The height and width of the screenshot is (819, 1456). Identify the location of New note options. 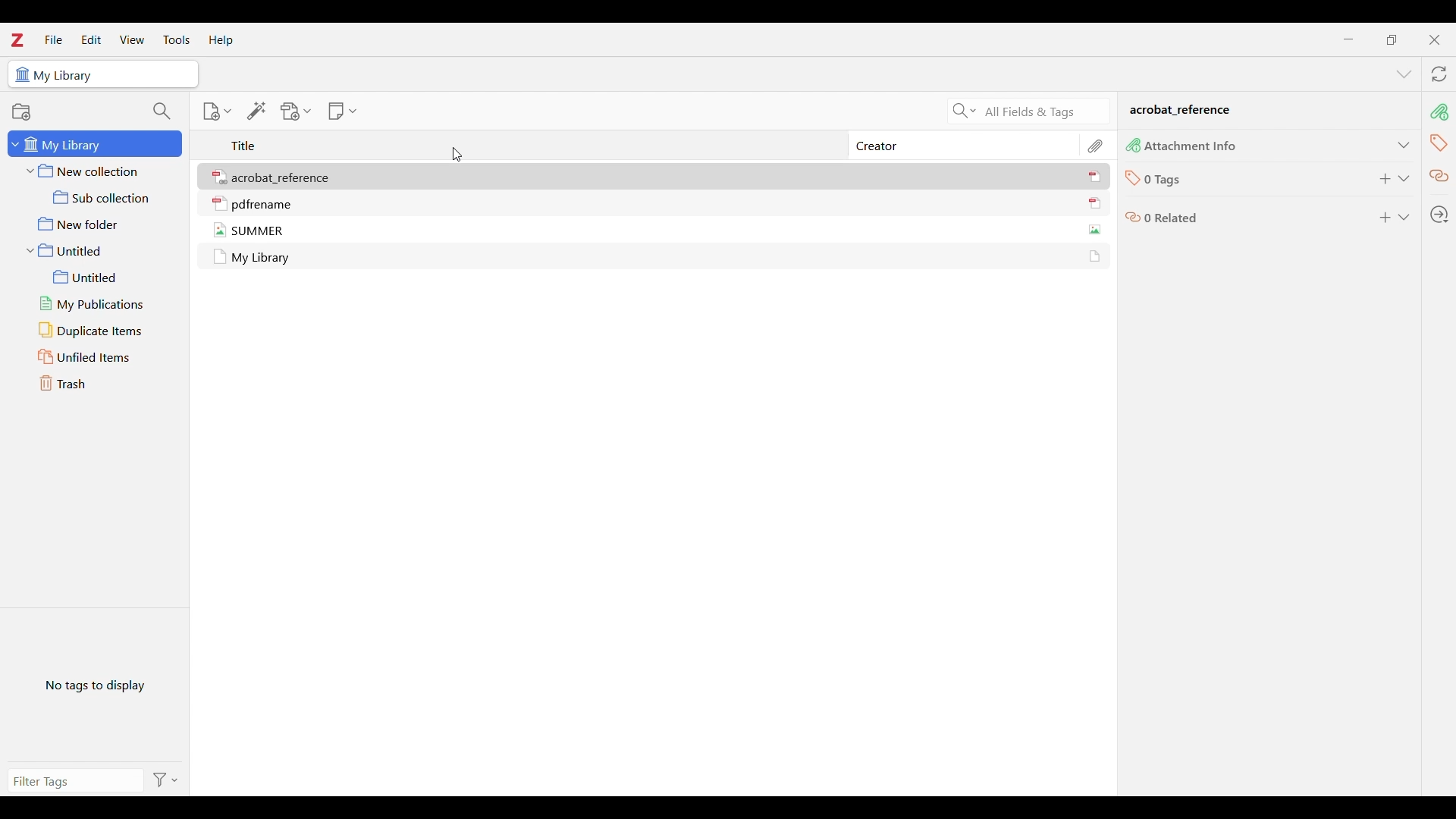
(343, 111).